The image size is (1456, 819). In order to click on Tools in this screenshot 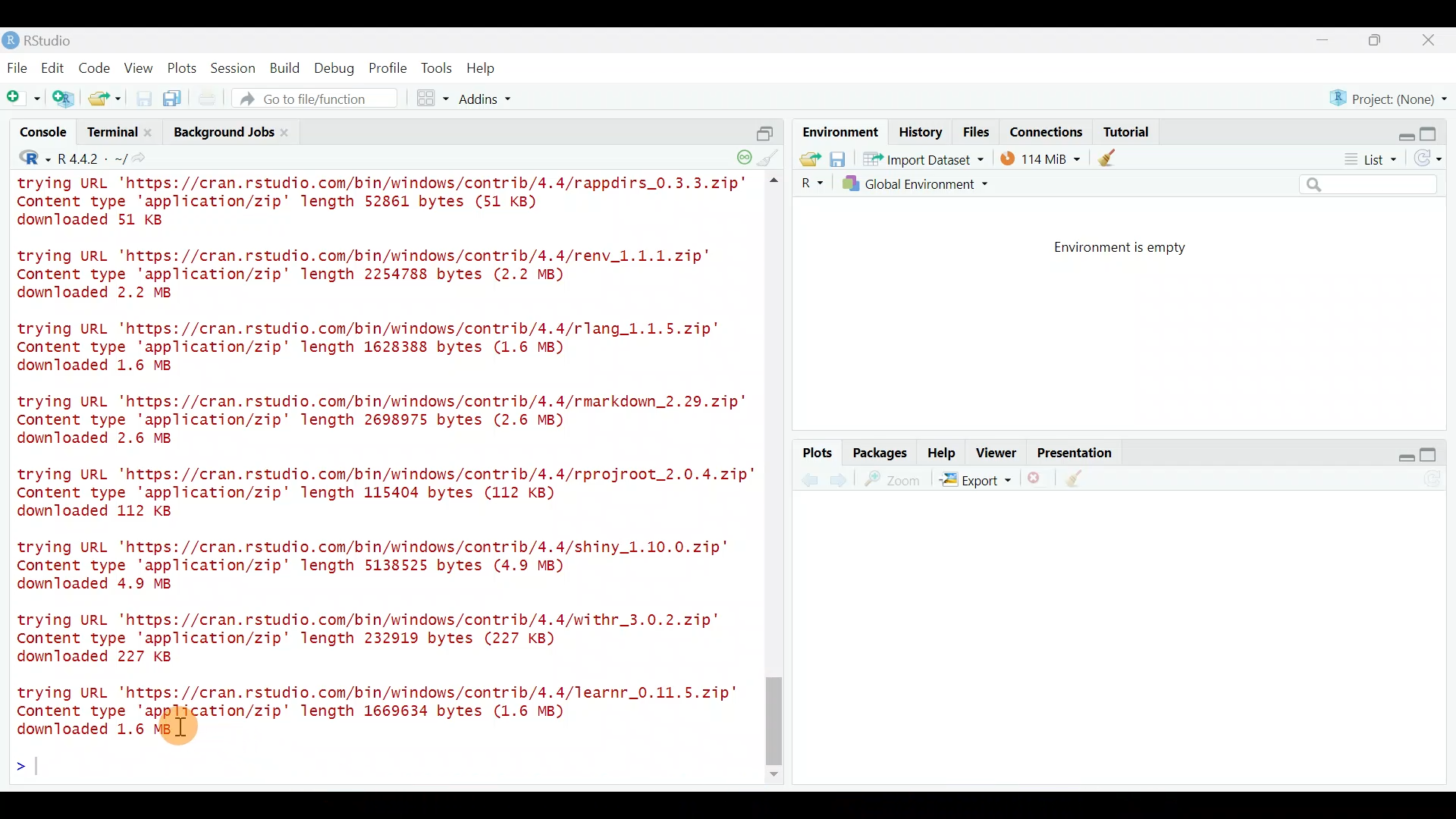, I will do `click(438, 67)`.